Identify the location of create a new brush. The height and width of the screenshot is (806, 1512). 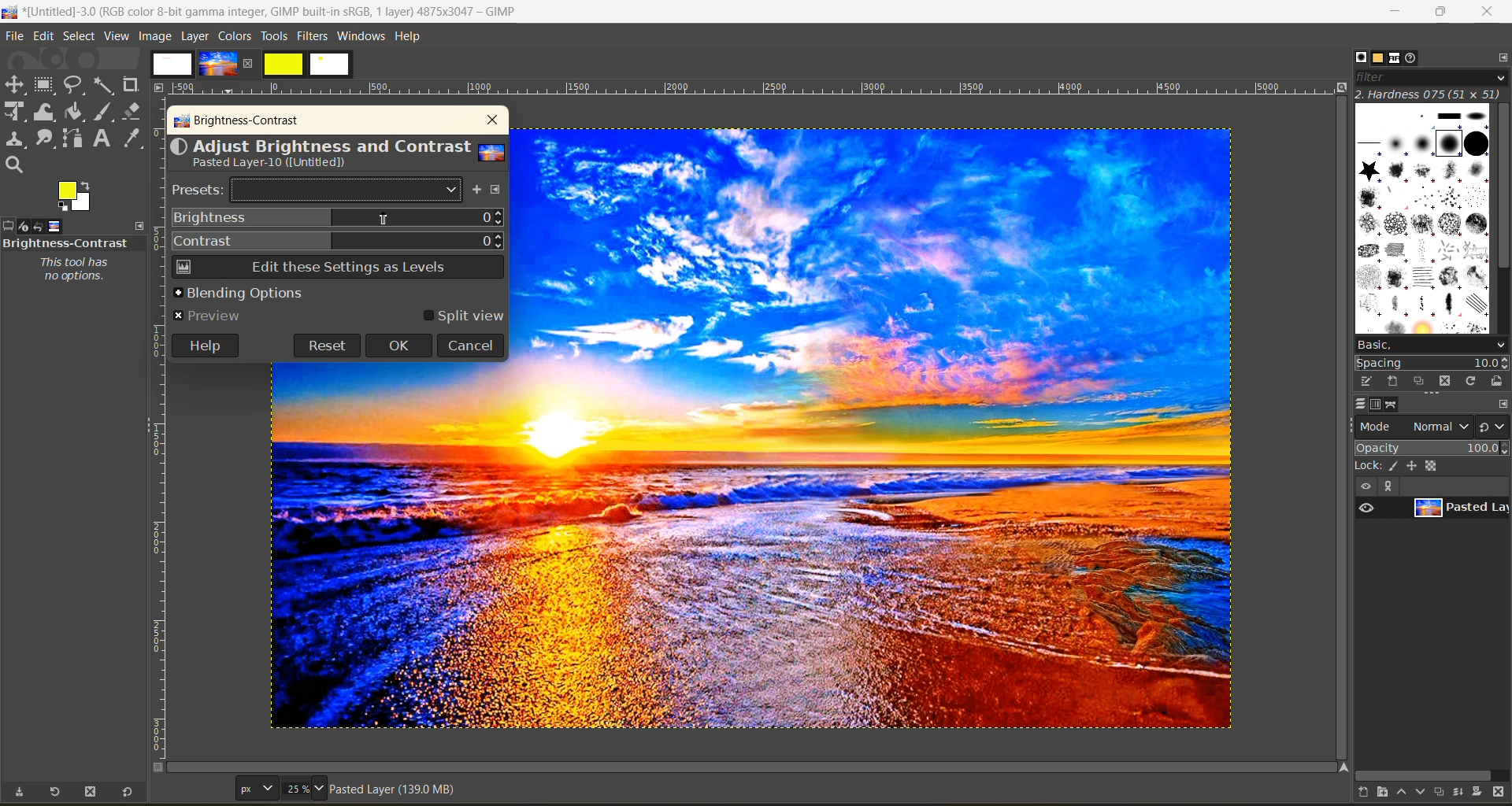
(1391, 380).